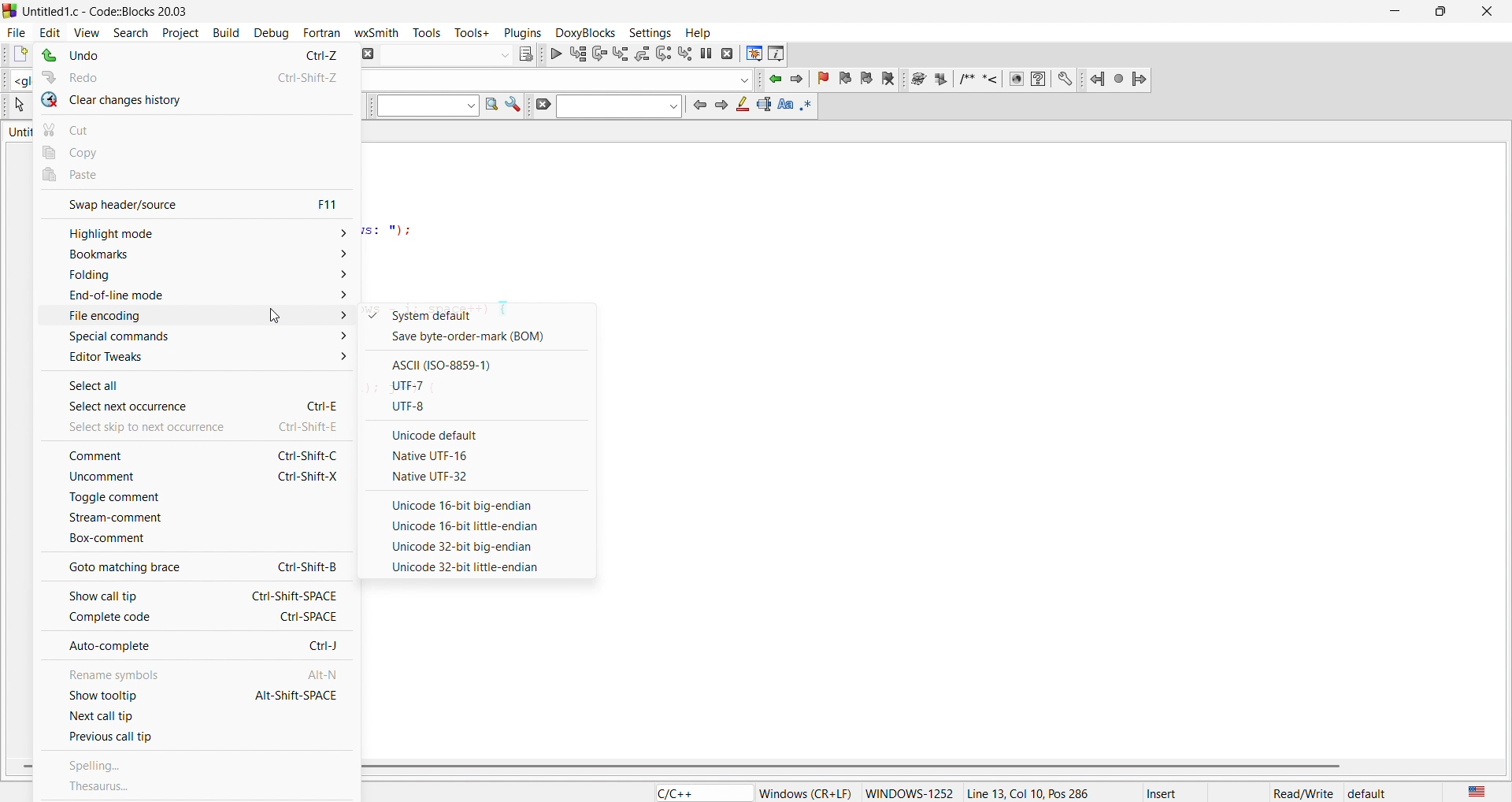  Describe the element at coordinates (798, 80) in the screenshot. I see `jump forward` at that location.